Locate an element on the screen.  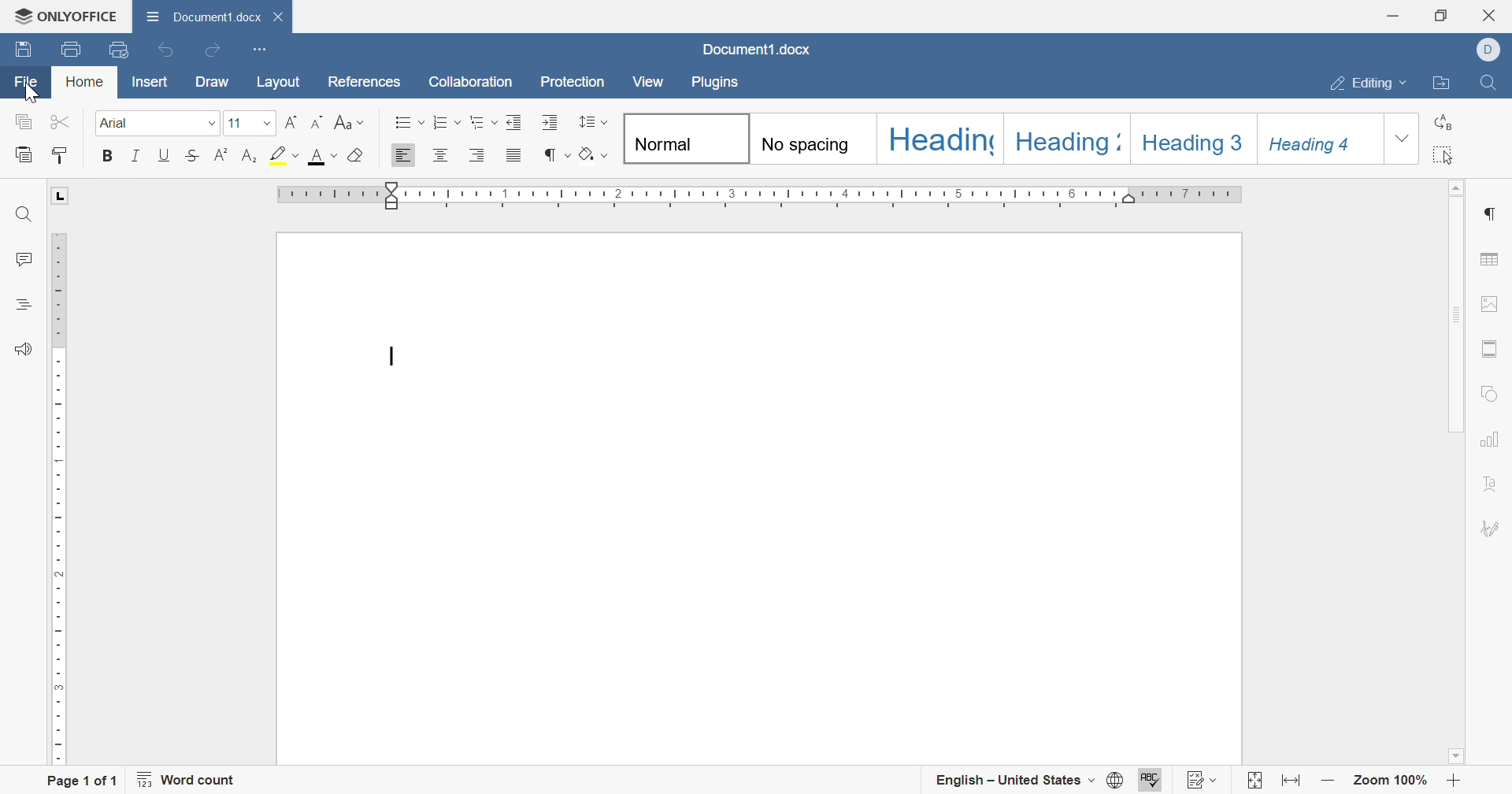
chart settings is located at coordinates (1492, 440).